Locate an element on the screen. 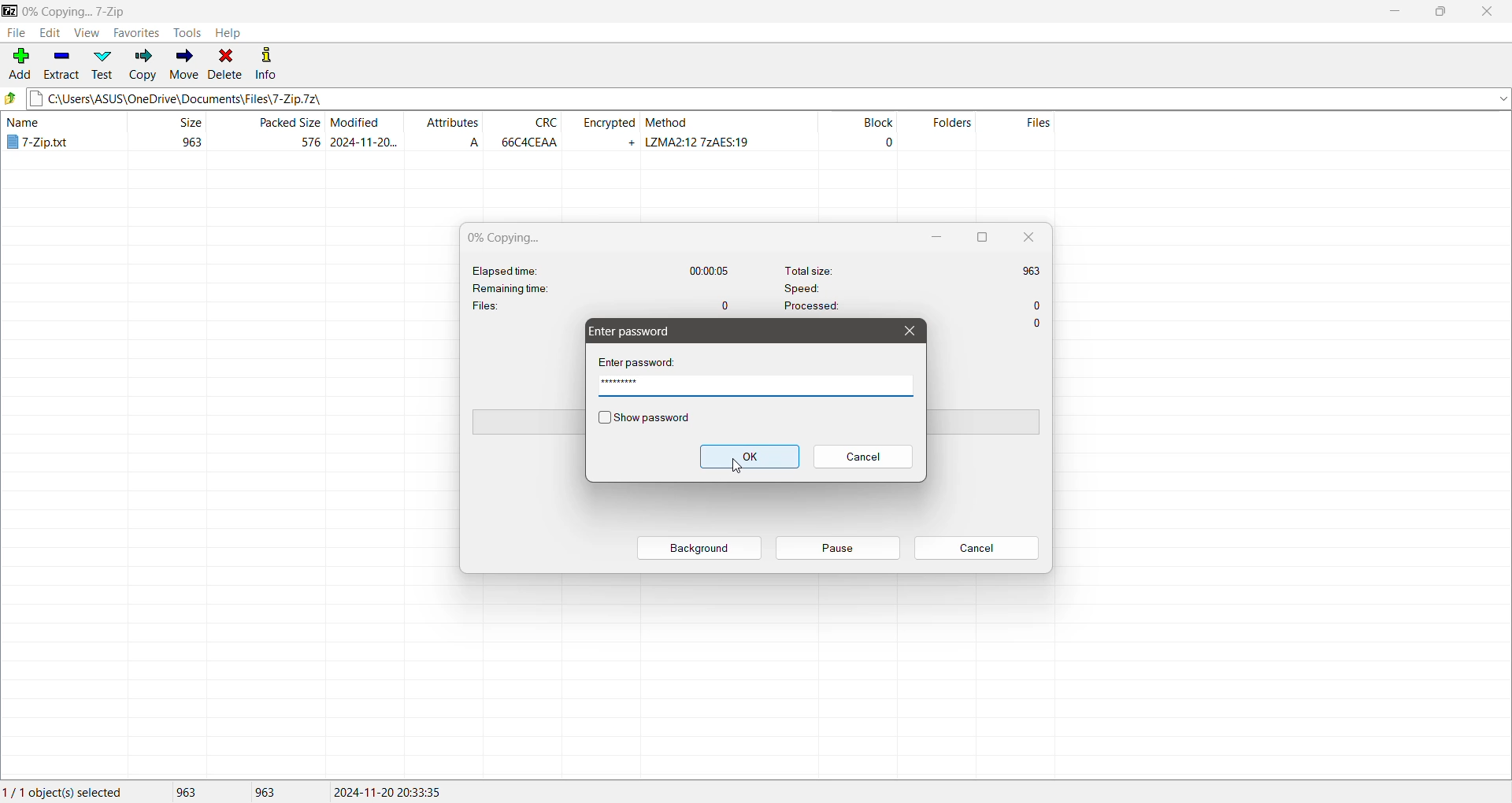  Packed Size is located at coordinates (269, 133).